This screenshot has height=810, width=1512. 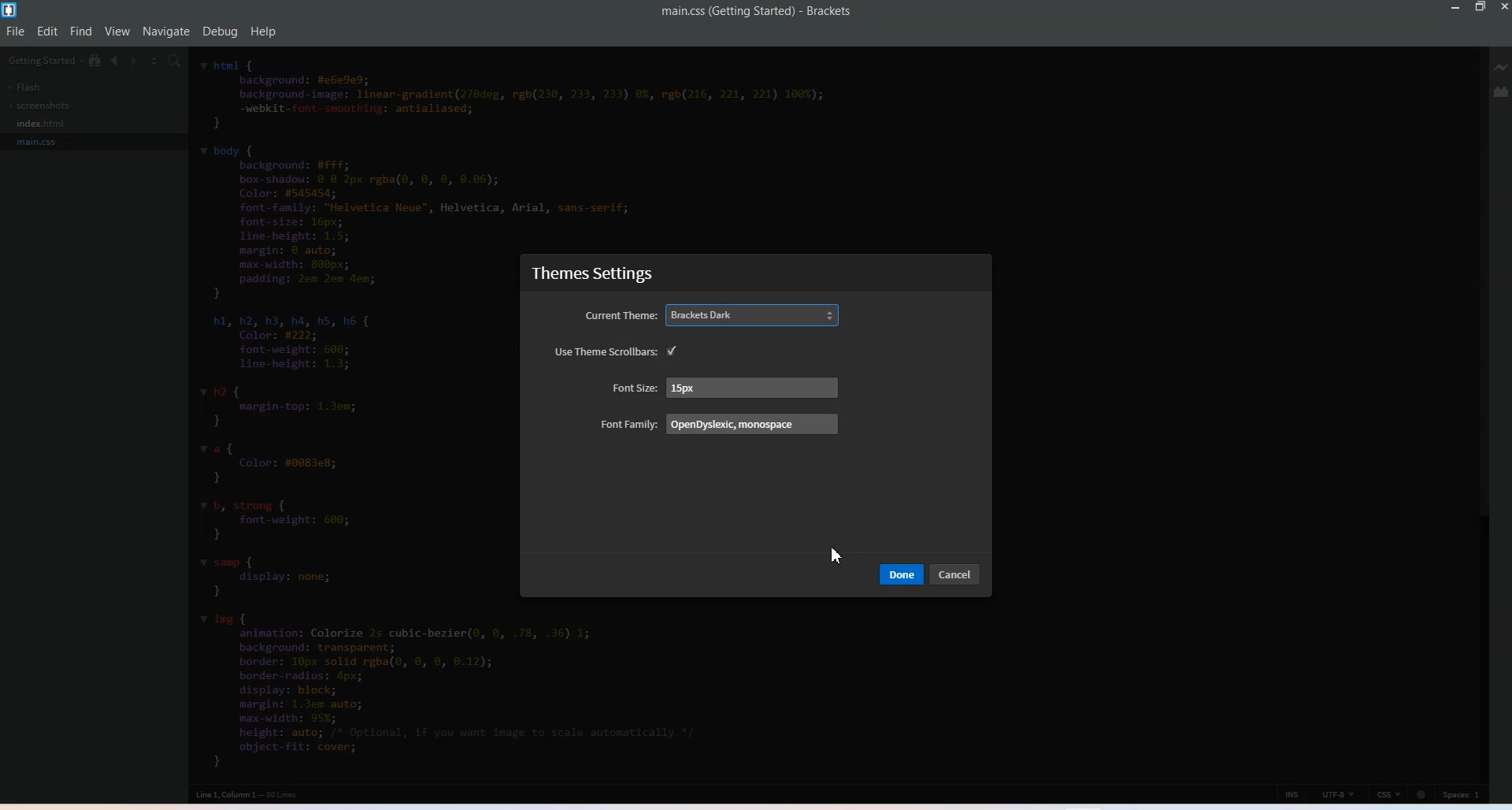 I want to click on Business light default, so click(x=754, y=349).